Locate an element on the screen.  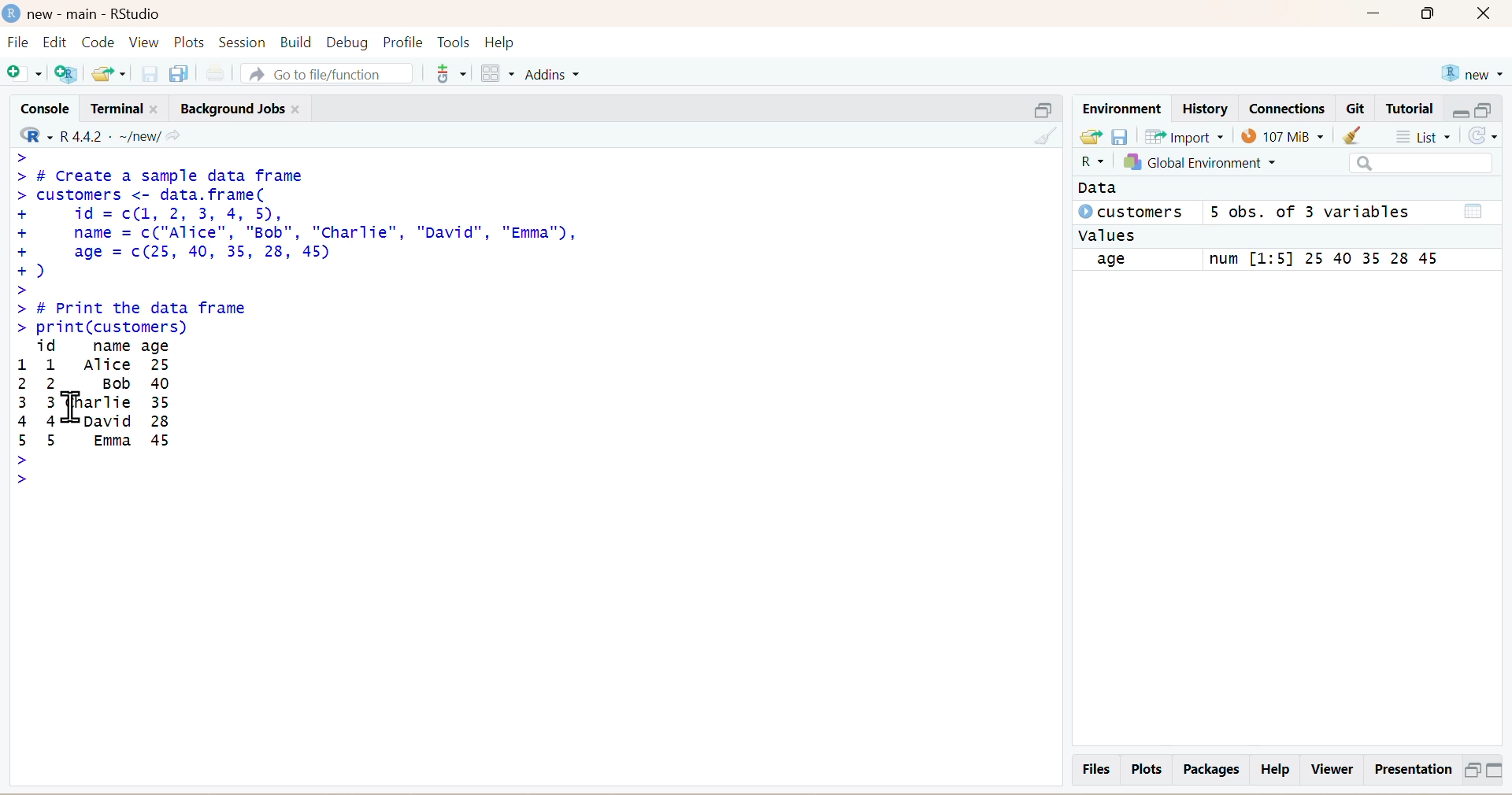
save workspace as is located at coordinates (1121, 135).